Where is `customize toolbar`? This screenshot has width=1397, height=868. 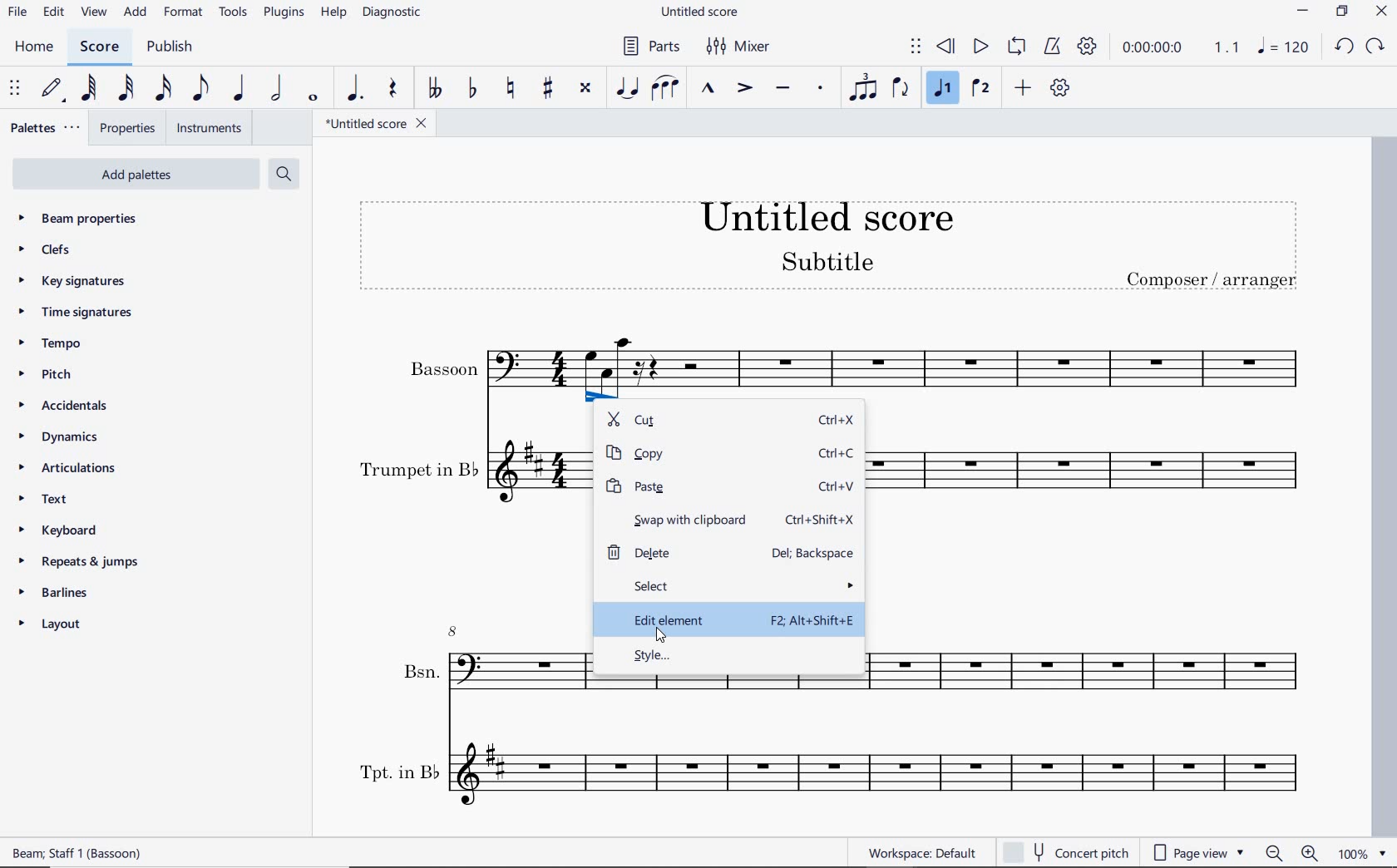 customize toolbar is located at coordinates (1060, 89).